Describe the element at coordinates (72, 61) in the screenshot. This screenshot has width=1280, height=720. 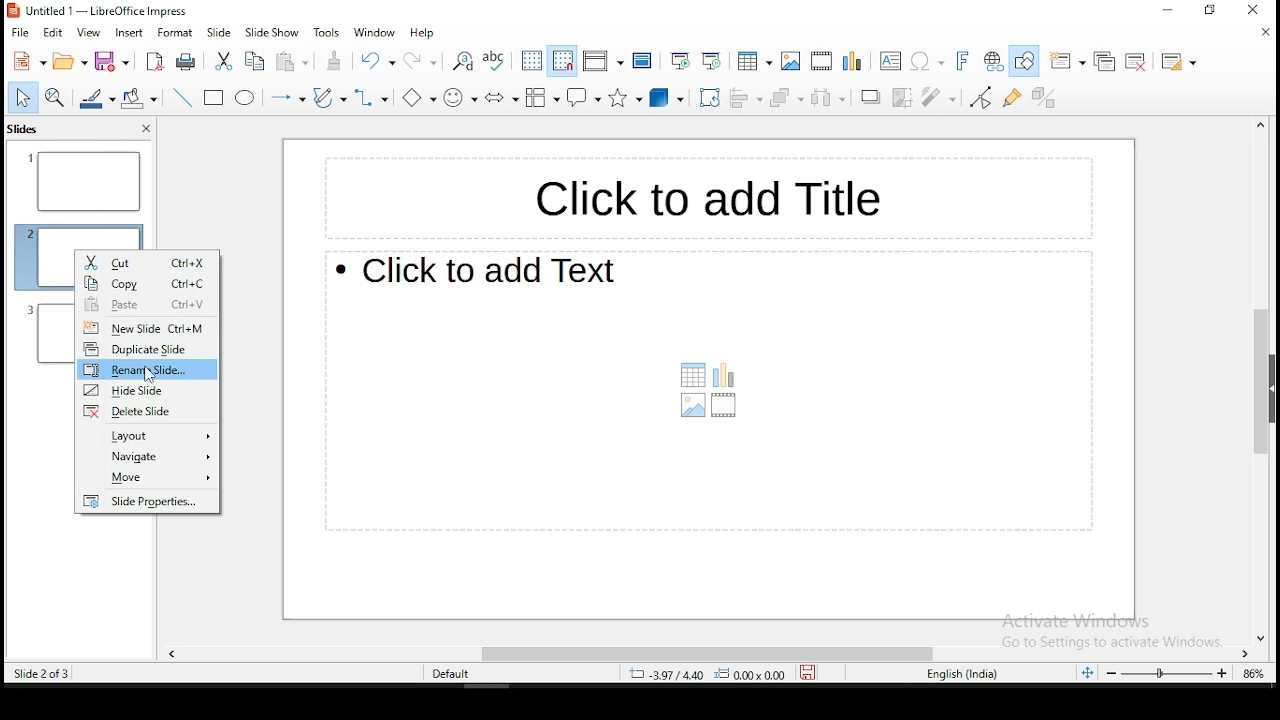
I see `open` at that location.